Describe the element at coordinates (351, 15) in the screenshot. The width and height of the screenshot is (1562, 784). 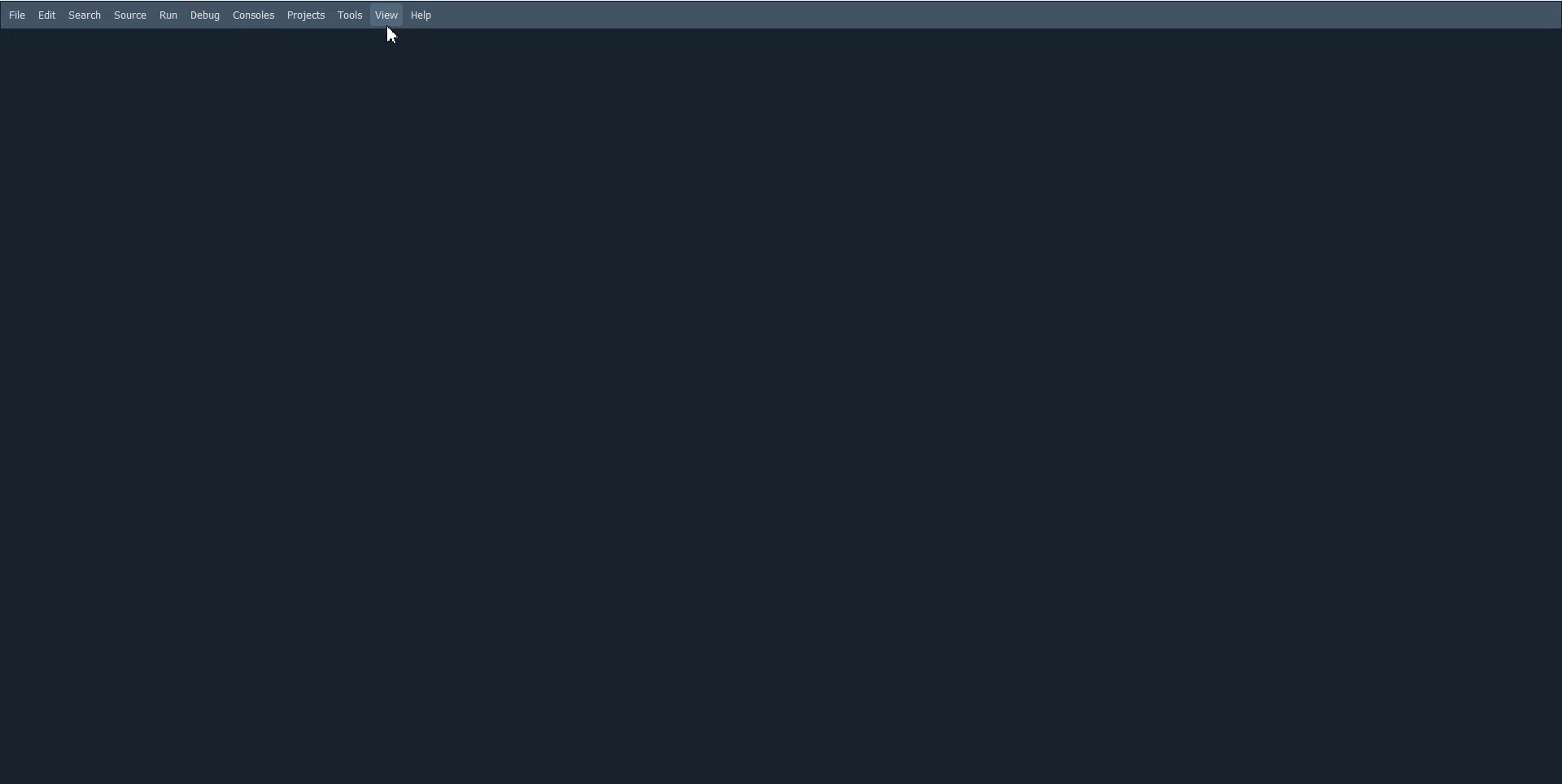
I see `Tools` at that location.